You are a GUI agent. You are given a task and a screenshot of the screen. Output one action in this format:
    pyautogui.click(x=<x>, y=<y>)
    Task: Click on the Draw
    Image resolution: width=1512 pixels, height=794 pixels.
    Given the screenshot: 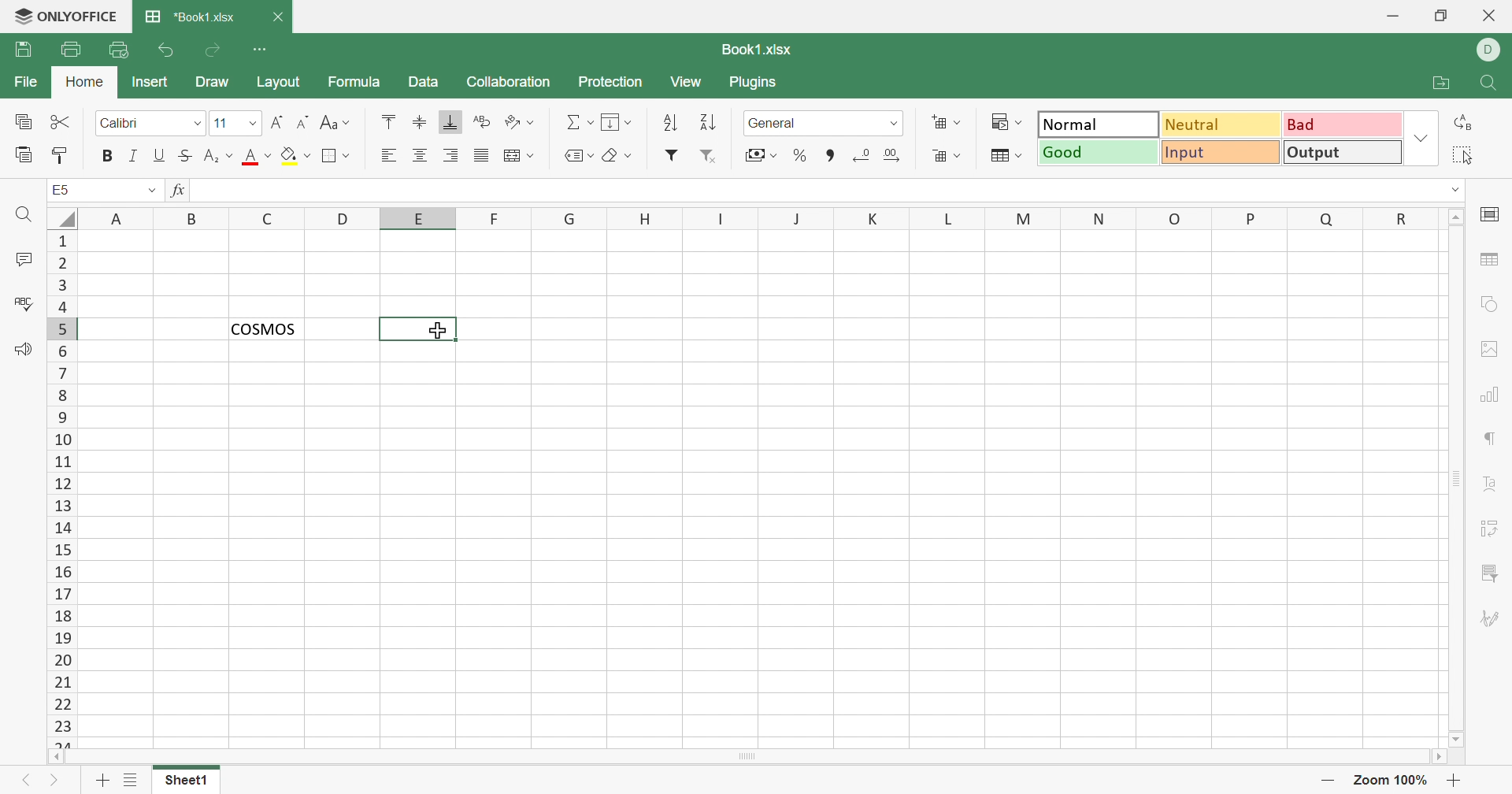 What is the action you would take?
    pyautogui.click(x=213, y=83)
    